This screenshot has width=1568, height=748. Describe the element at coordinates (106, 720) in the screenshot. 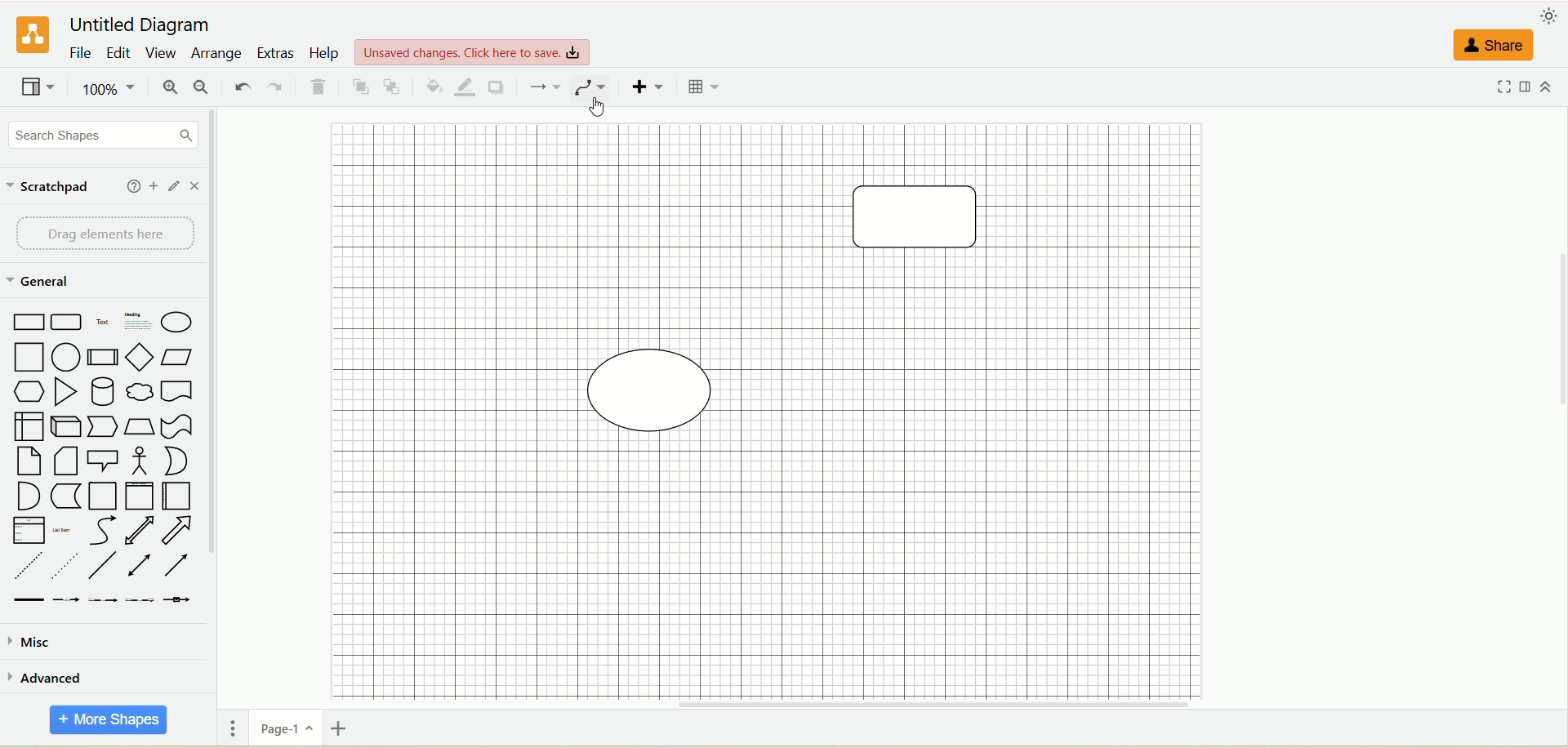

I see `more shapes` at that location.